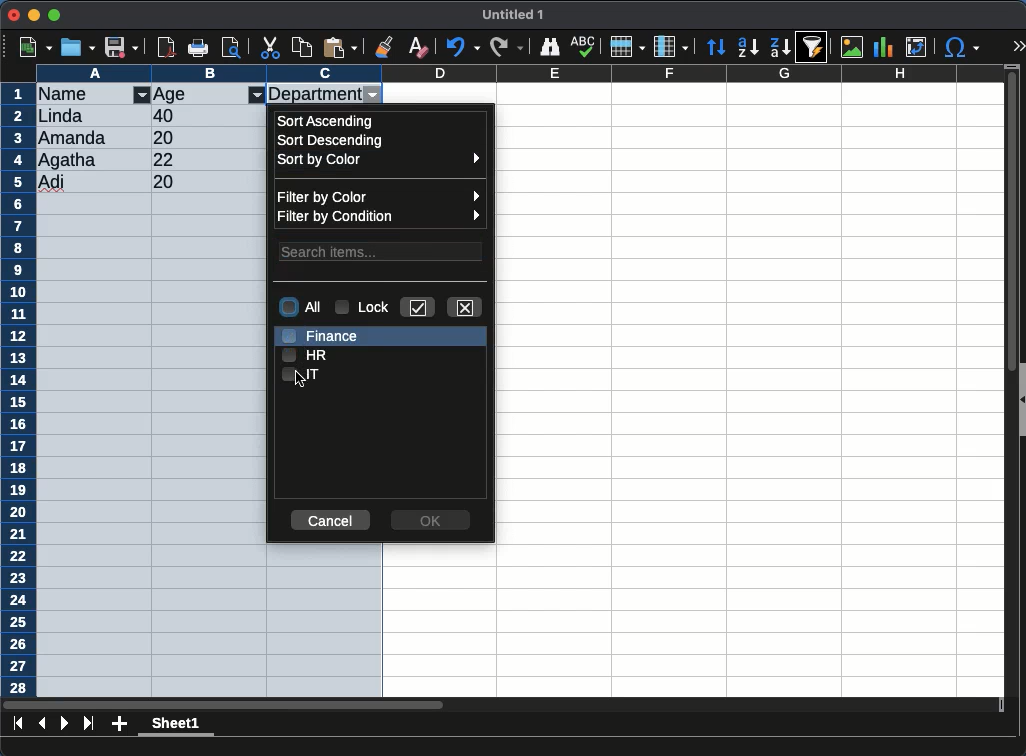  Describe the element at coordinates (671, 45) in the screenshot. I see `columns` at that location.